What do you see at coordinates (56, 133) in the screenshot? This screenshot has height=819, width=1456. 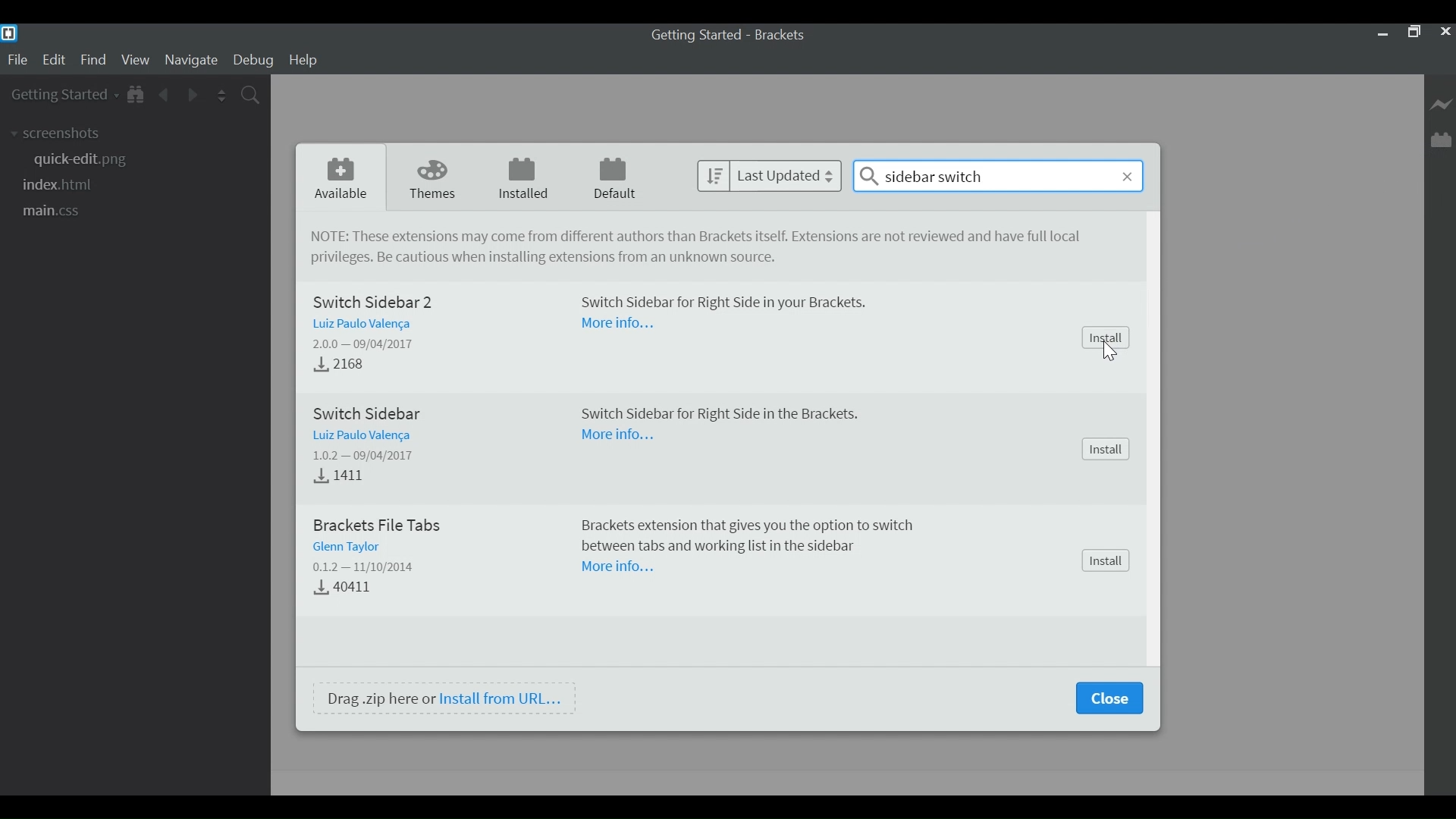 I see `screenshots` at bounding box center [56, 133].